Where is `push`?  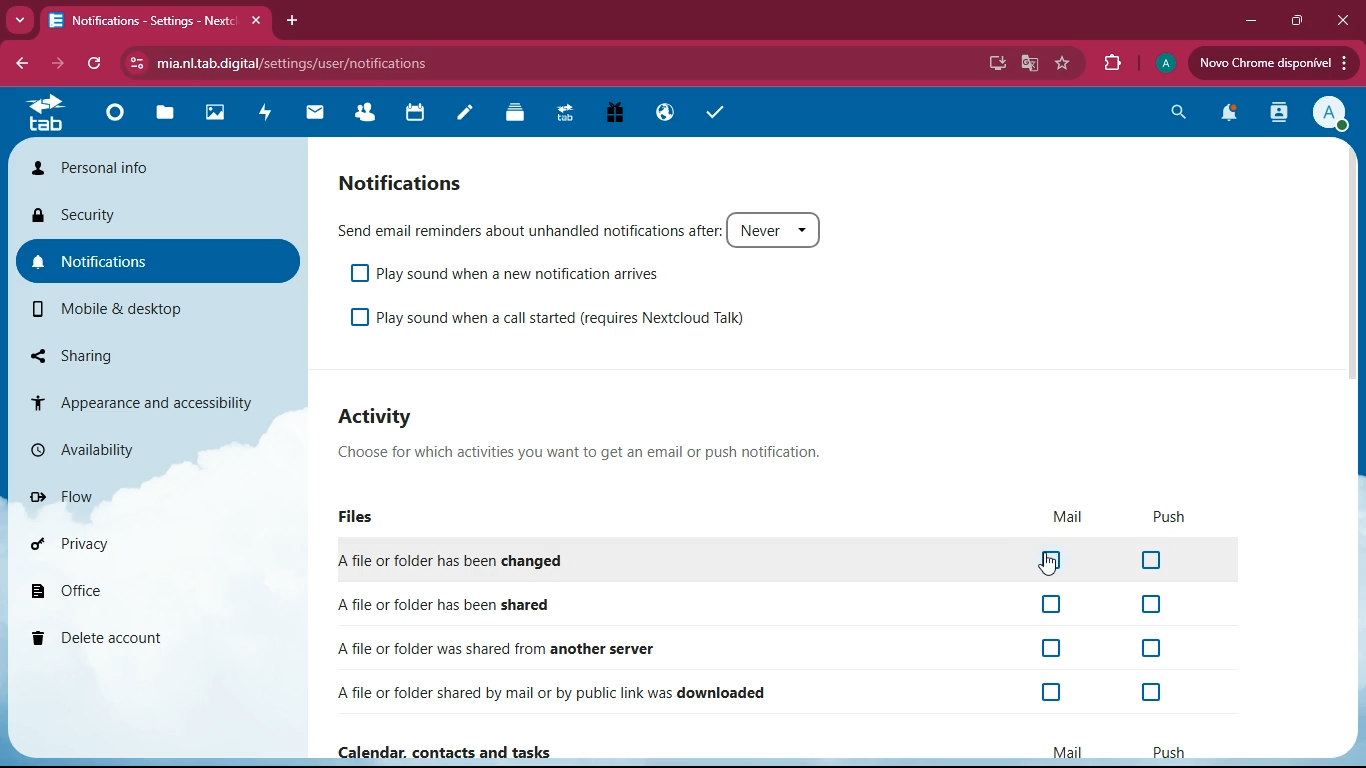
push is located at coordinates (1172, 517).